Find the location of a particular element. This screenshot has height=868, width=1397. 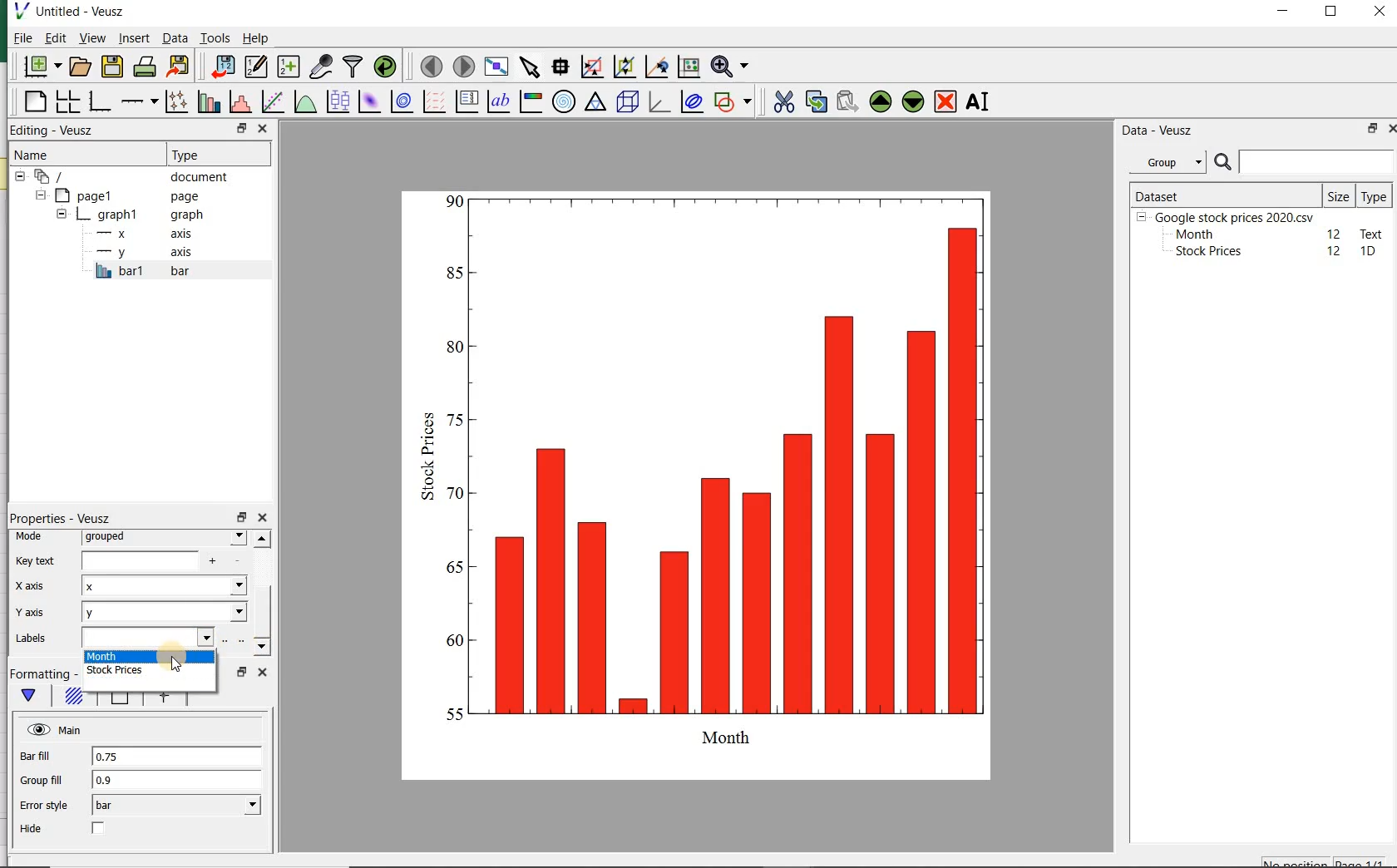

new document is located at coordinates (42, 67).